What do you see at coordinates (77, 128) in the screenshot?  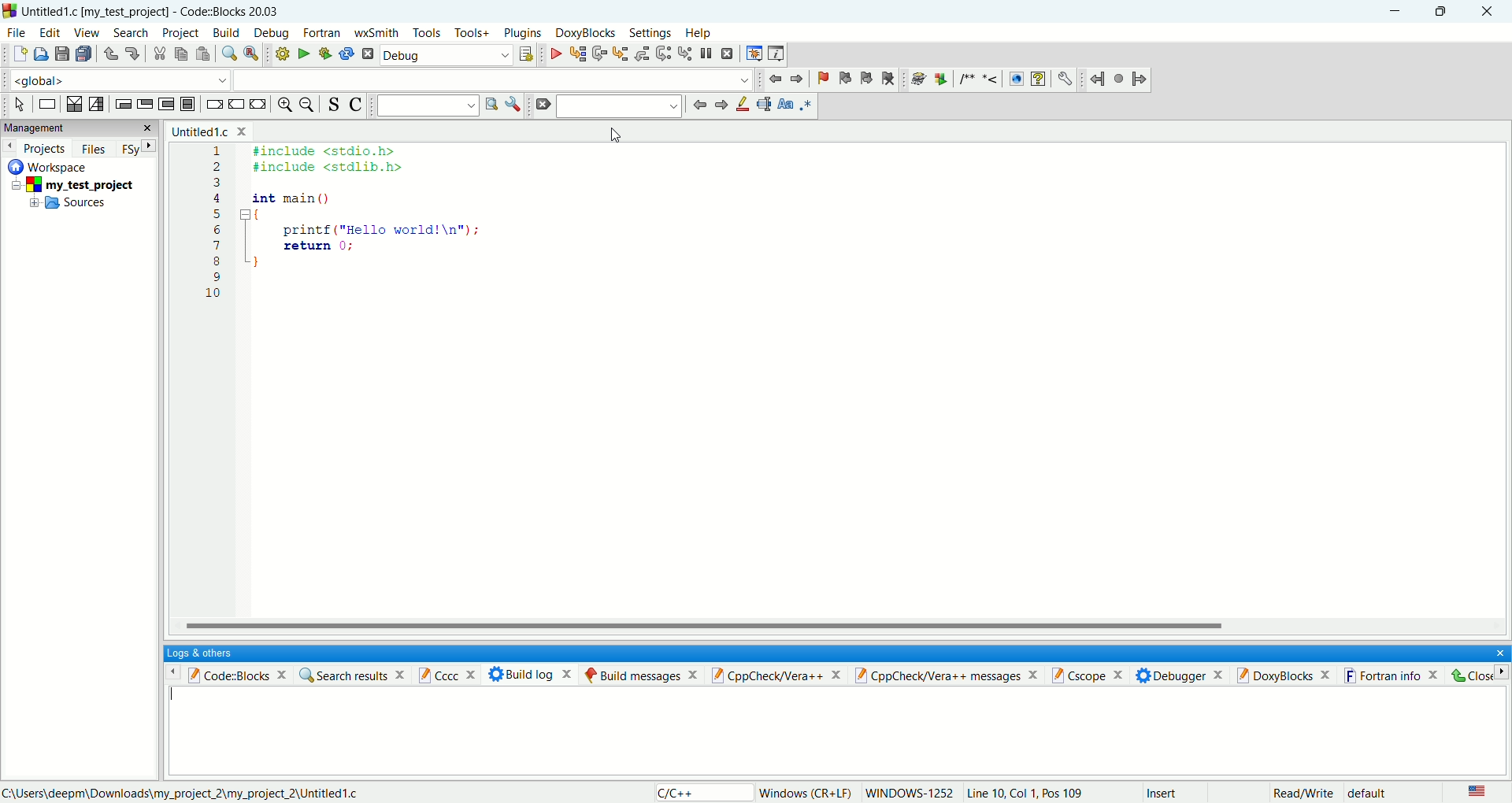 I see `management` at bounding box center [77, 128].